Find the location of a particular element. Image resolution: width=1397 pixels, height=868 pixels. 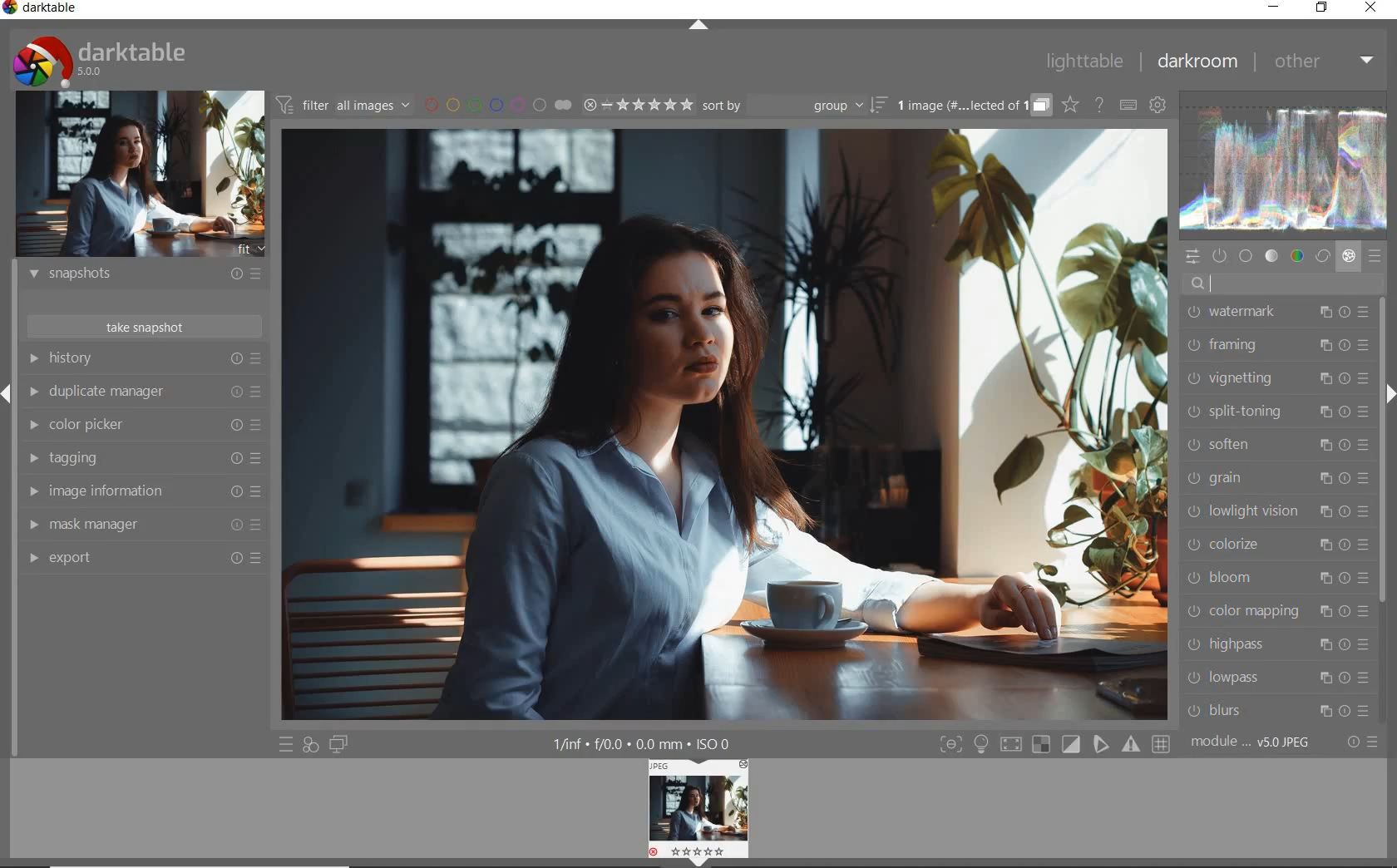

blurs is located at coordinates (1281, 710).